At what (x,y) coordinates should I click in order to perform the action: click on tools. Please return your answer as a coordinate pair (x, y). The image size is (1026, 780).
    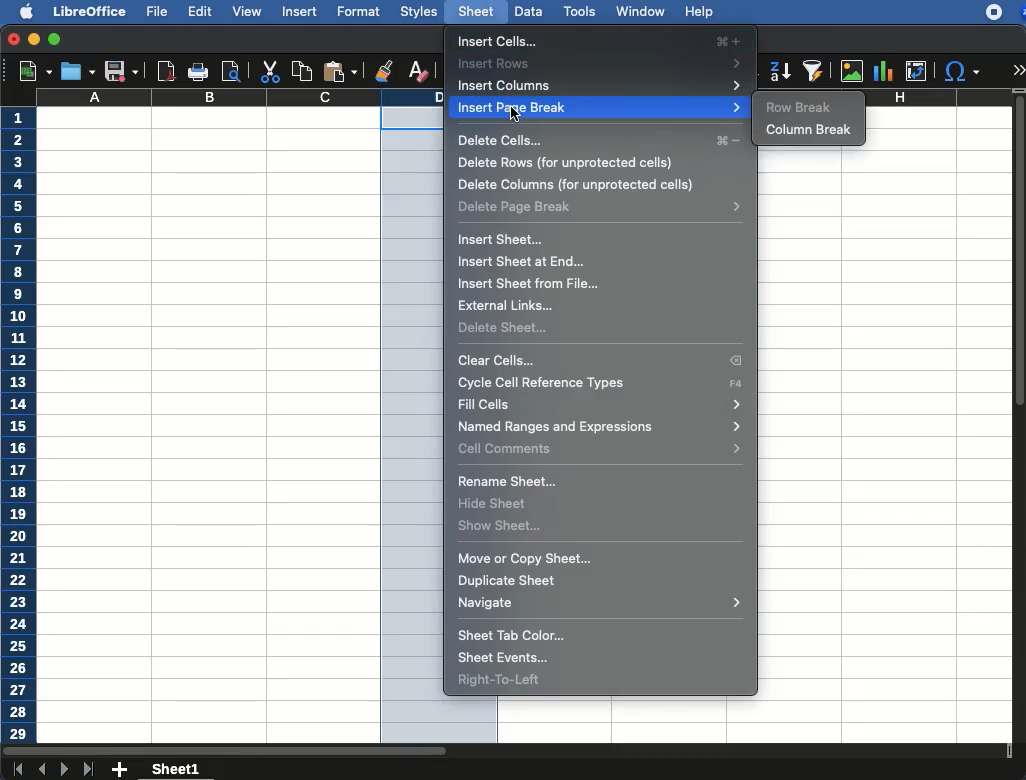
    Looking at the image, I should click on (578, 10).